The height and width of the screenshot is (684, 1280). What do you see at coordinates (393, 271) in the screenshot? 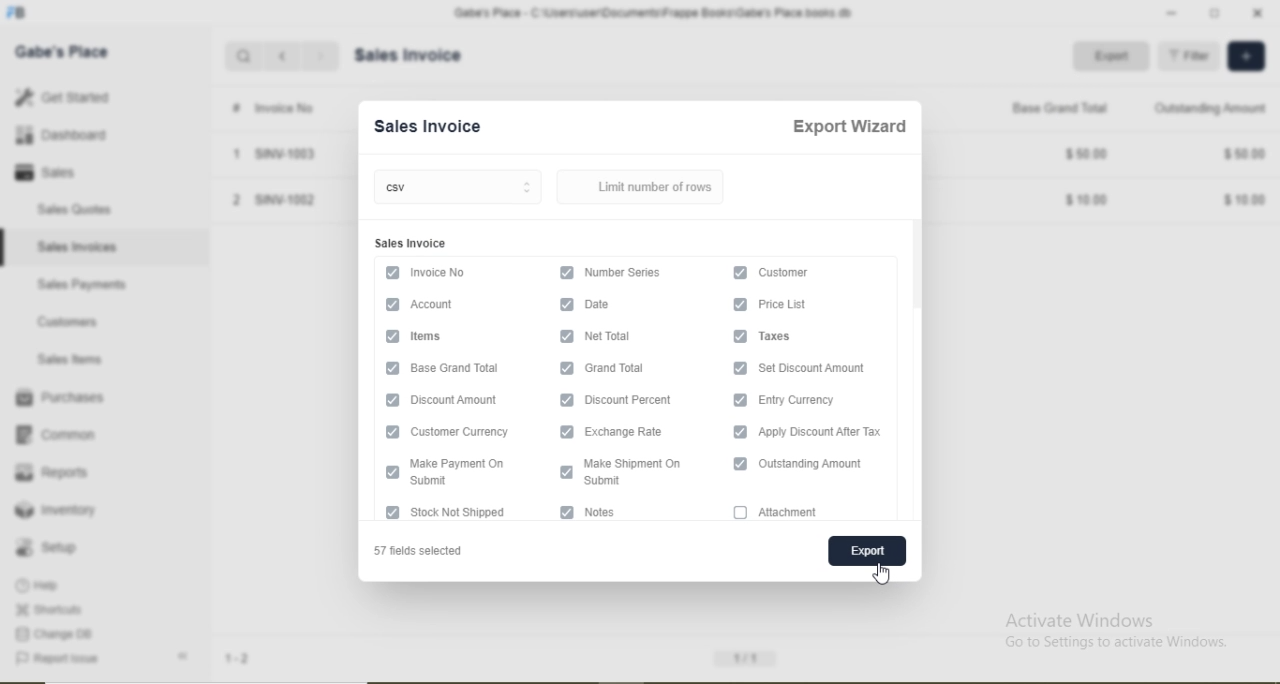
I see `checkbox` at bounding box center [393, 271].